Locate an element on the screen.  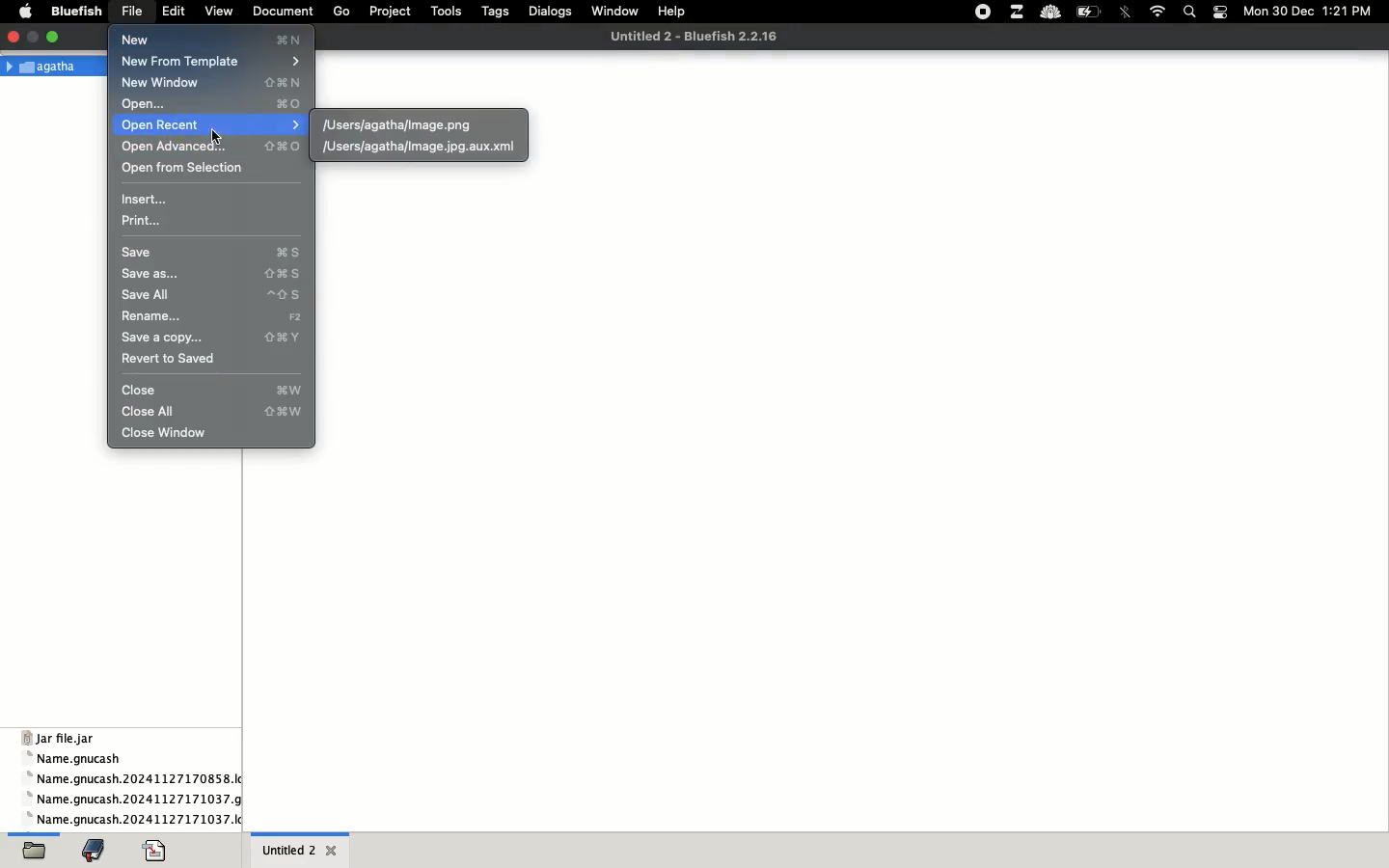
internet is located at coordinates (1158, 12).